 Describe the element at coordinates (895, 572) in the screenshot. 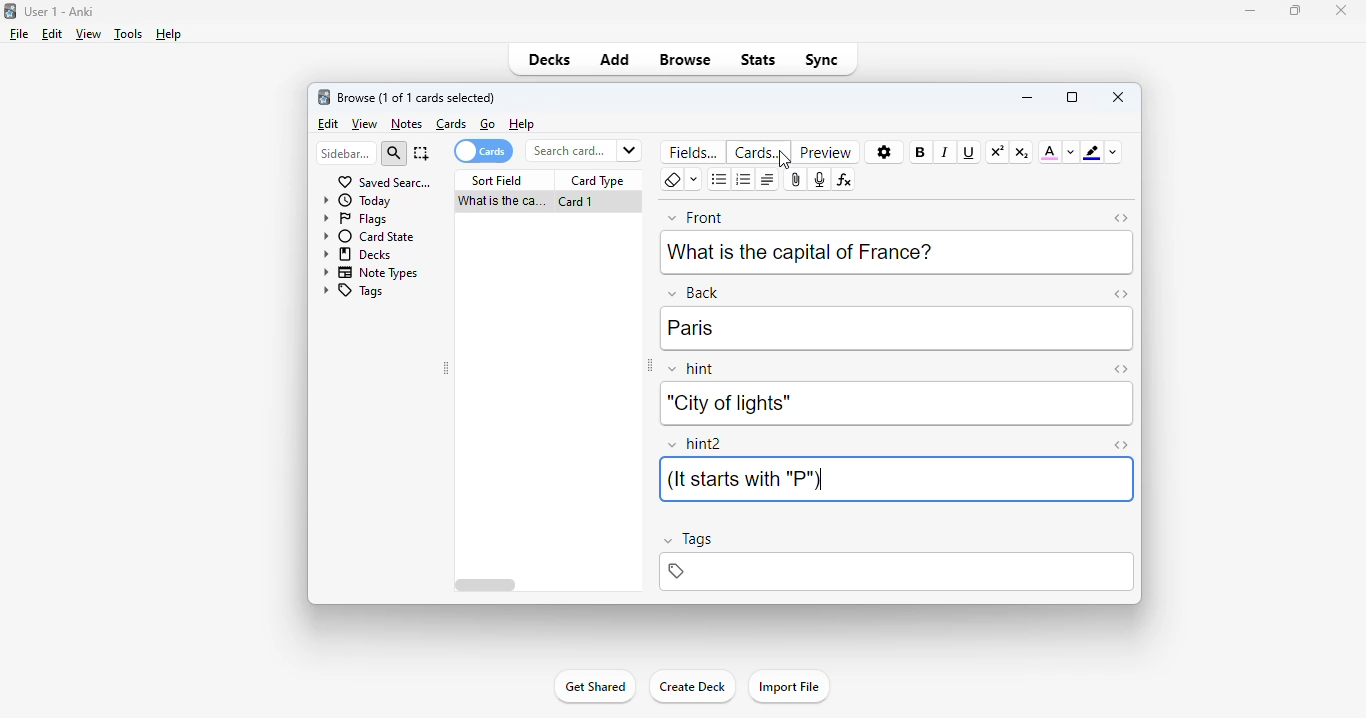

I see `tags` at that location.